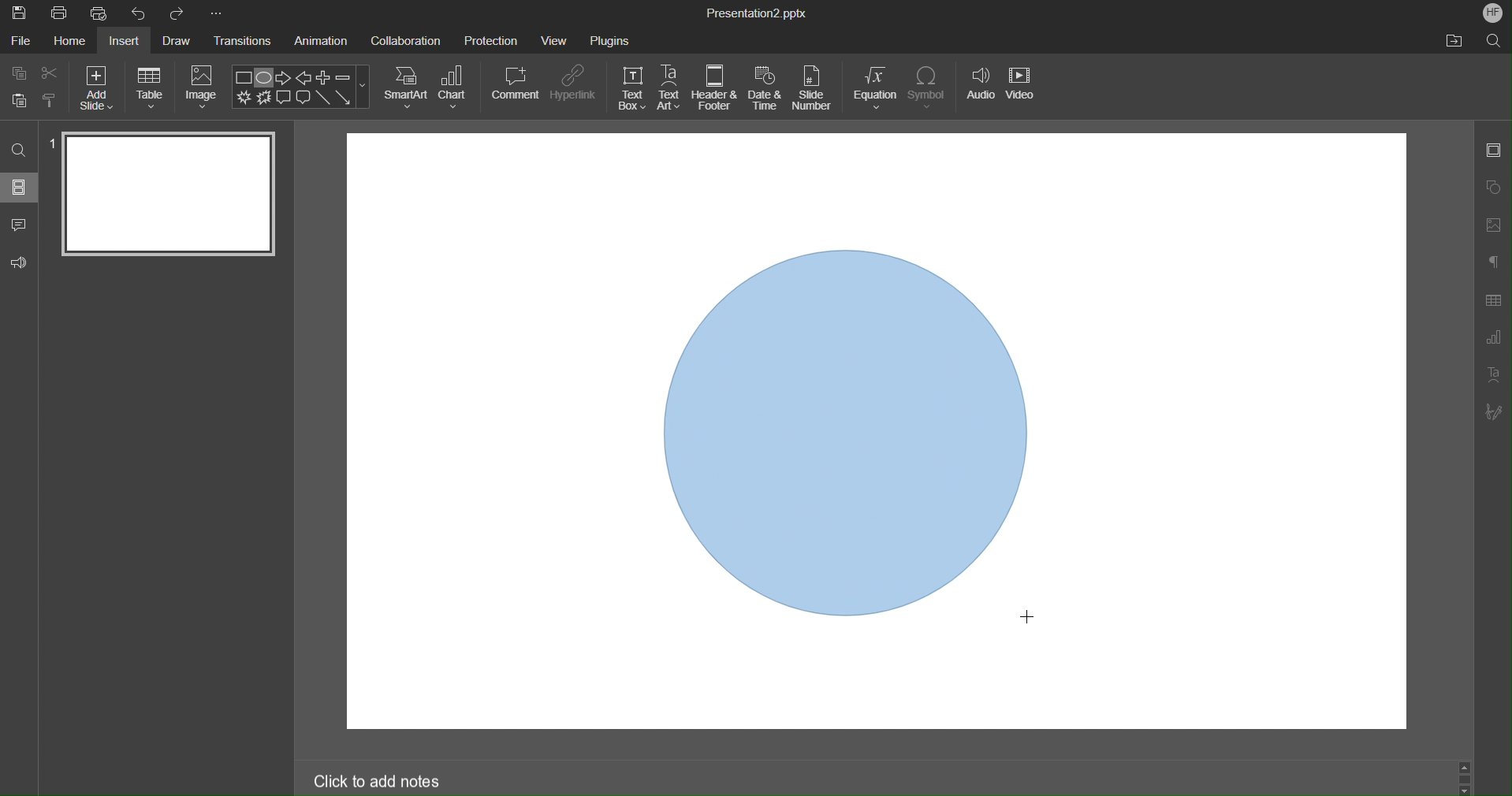 The image size is (1512, 796). I want to click on Slide Number, so click(815, 89).